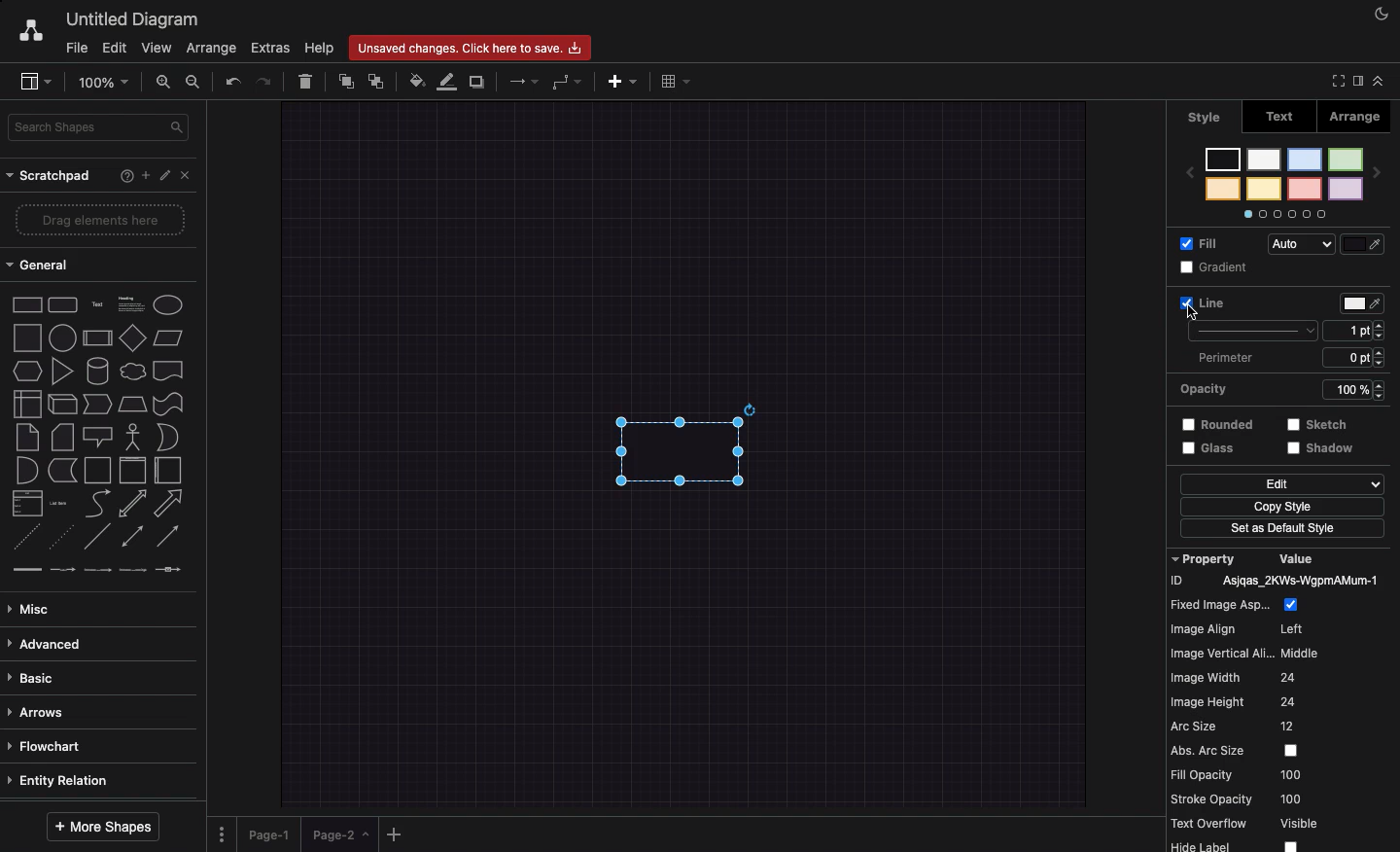 This screenshot has height=852, width=1400. Describe the element at coordinates (1379, 80) in the screenshot. I see `Collapse` at that location.